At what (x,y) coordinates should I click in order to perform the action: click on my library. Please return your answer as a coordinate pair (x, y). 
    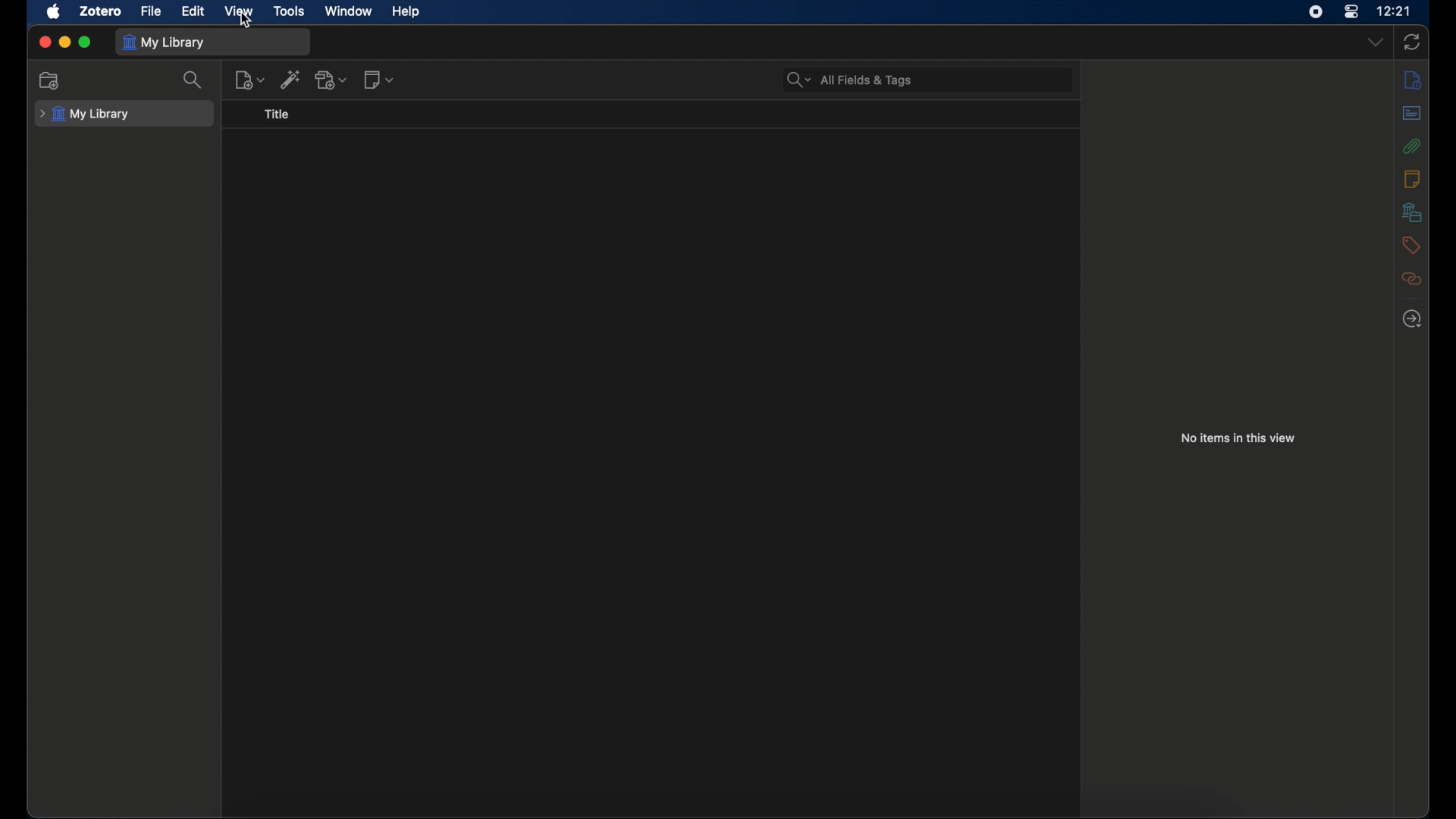
    Looking at the image, I should click on (164, 42).